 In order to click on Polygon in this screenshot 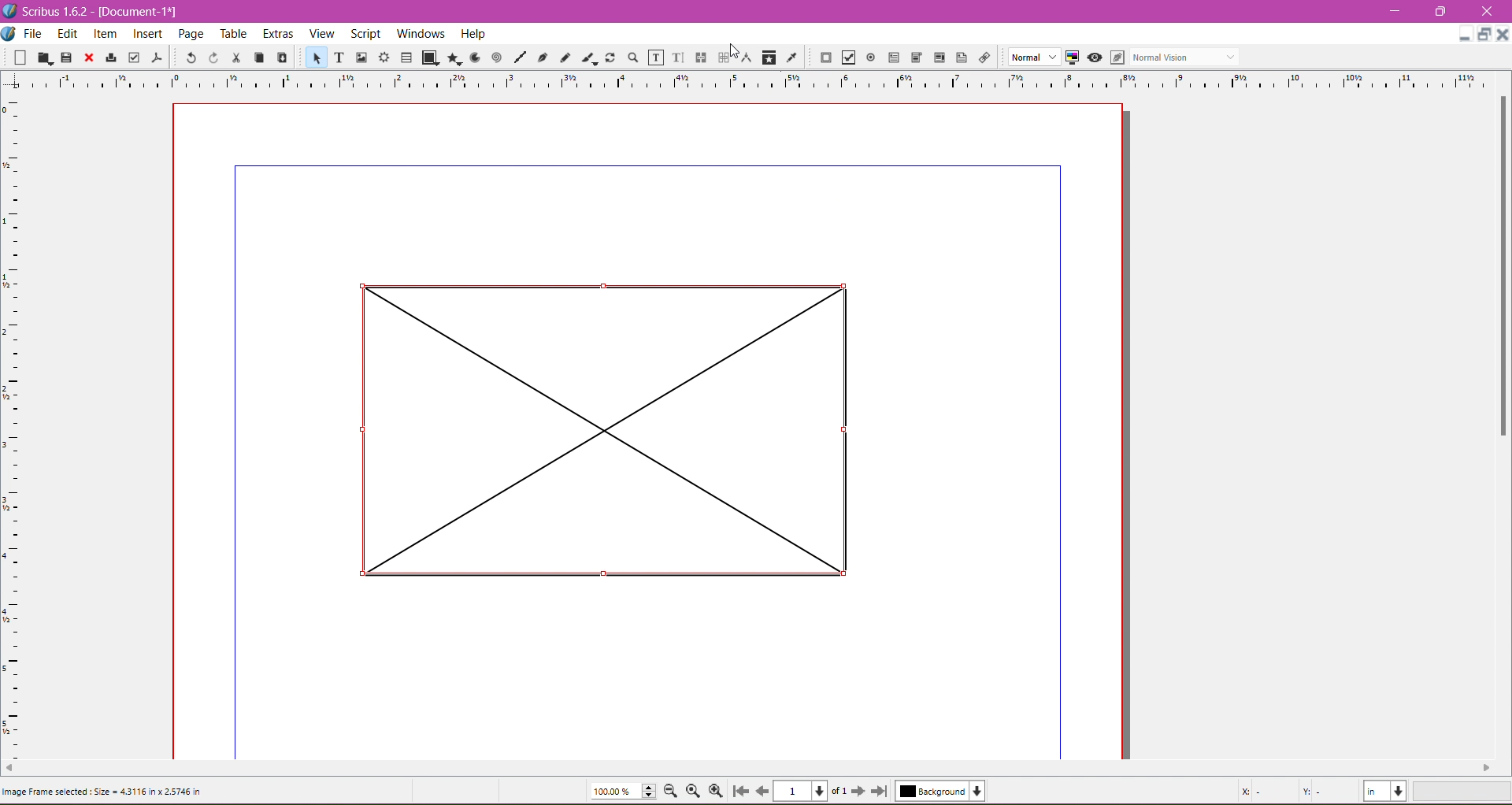, I will do `click(454, 59)`.